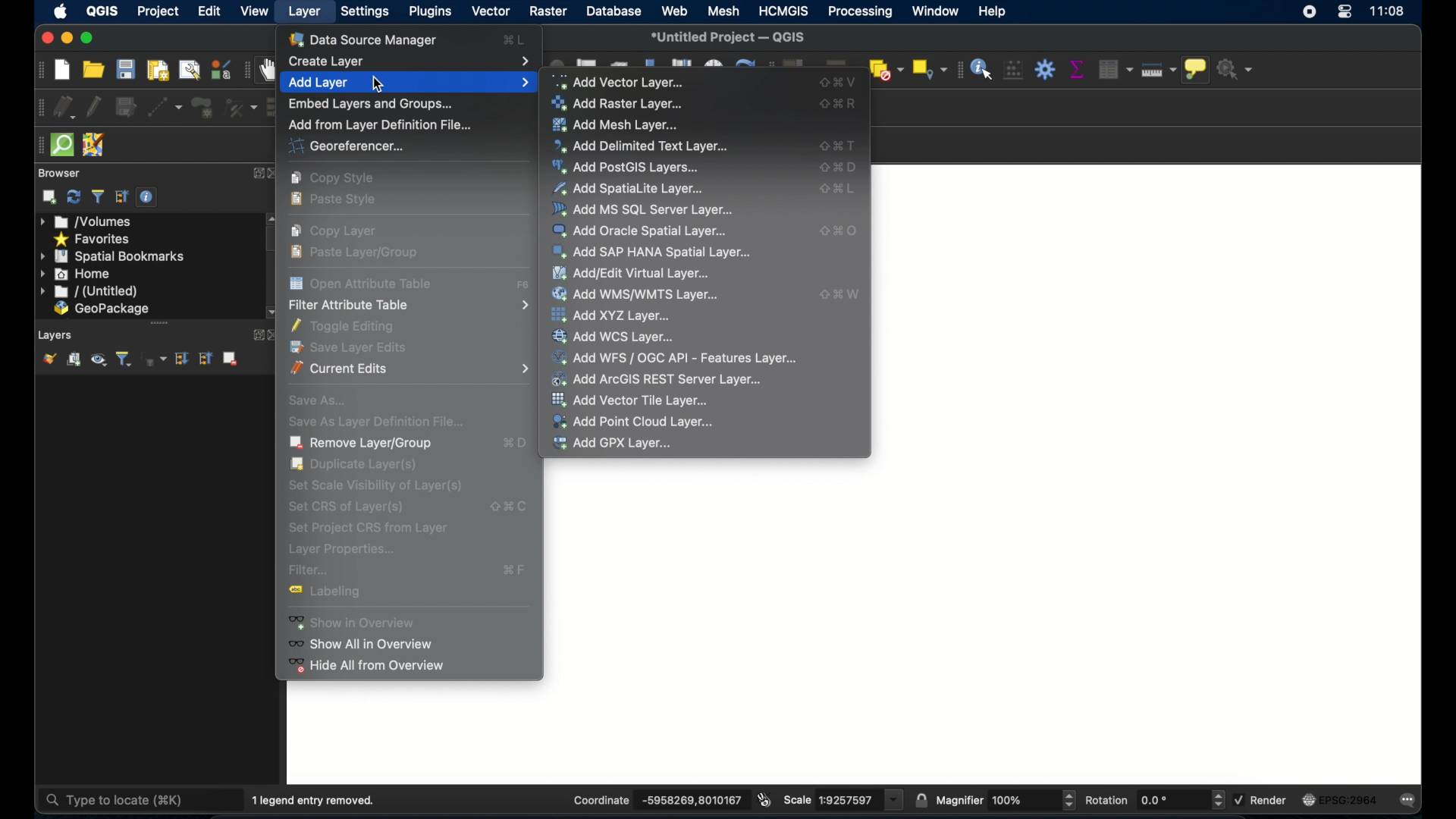 Image resolution: width=1456 pixels, height=819 pixels. What do you see at coordinates (49, 197) in the screenshot?
I see `add selected layers` at bounding box center [49, 197].